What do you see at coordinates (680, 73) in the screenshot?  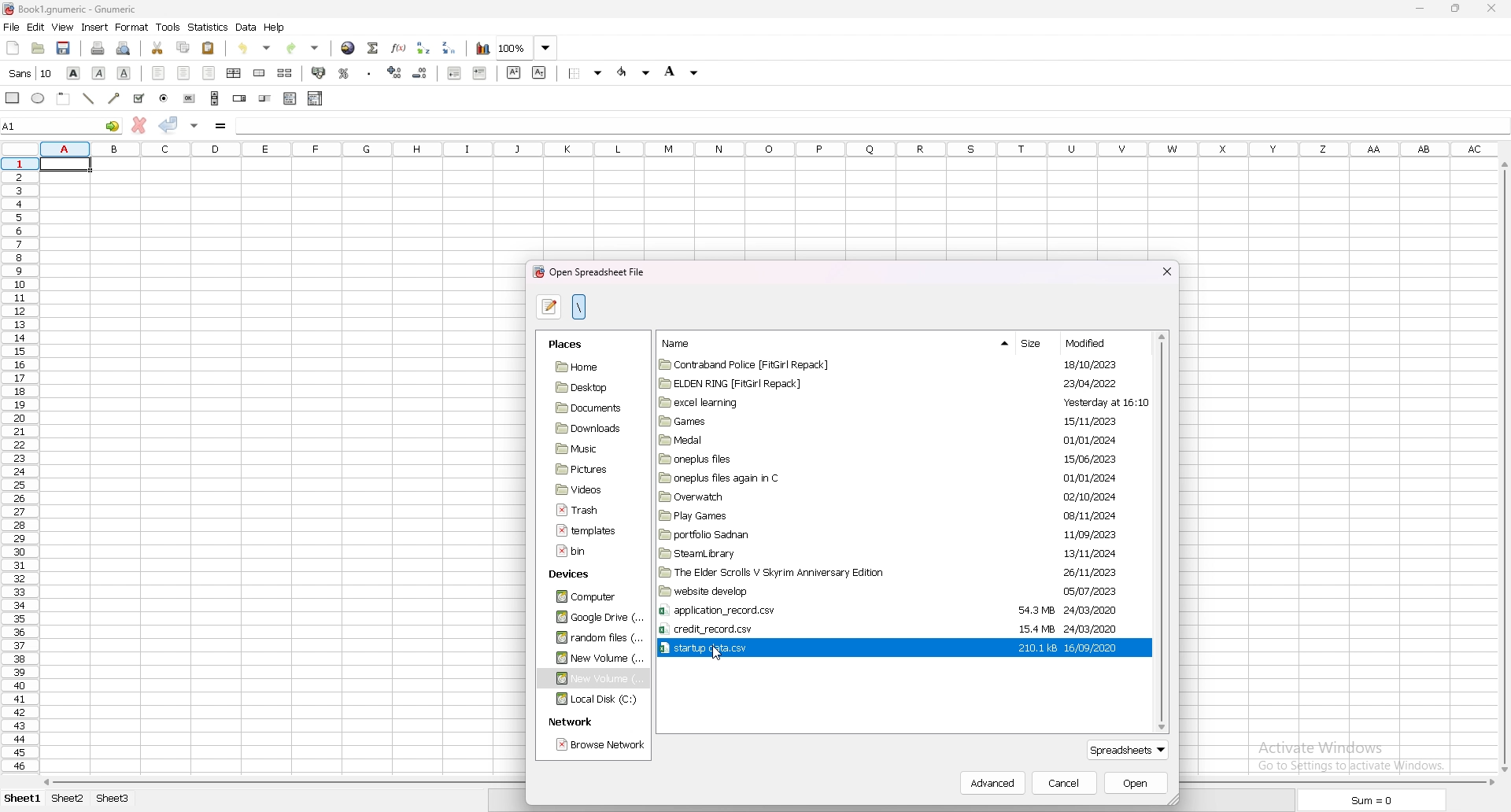 I see `background` at bounding box center [680, 73].